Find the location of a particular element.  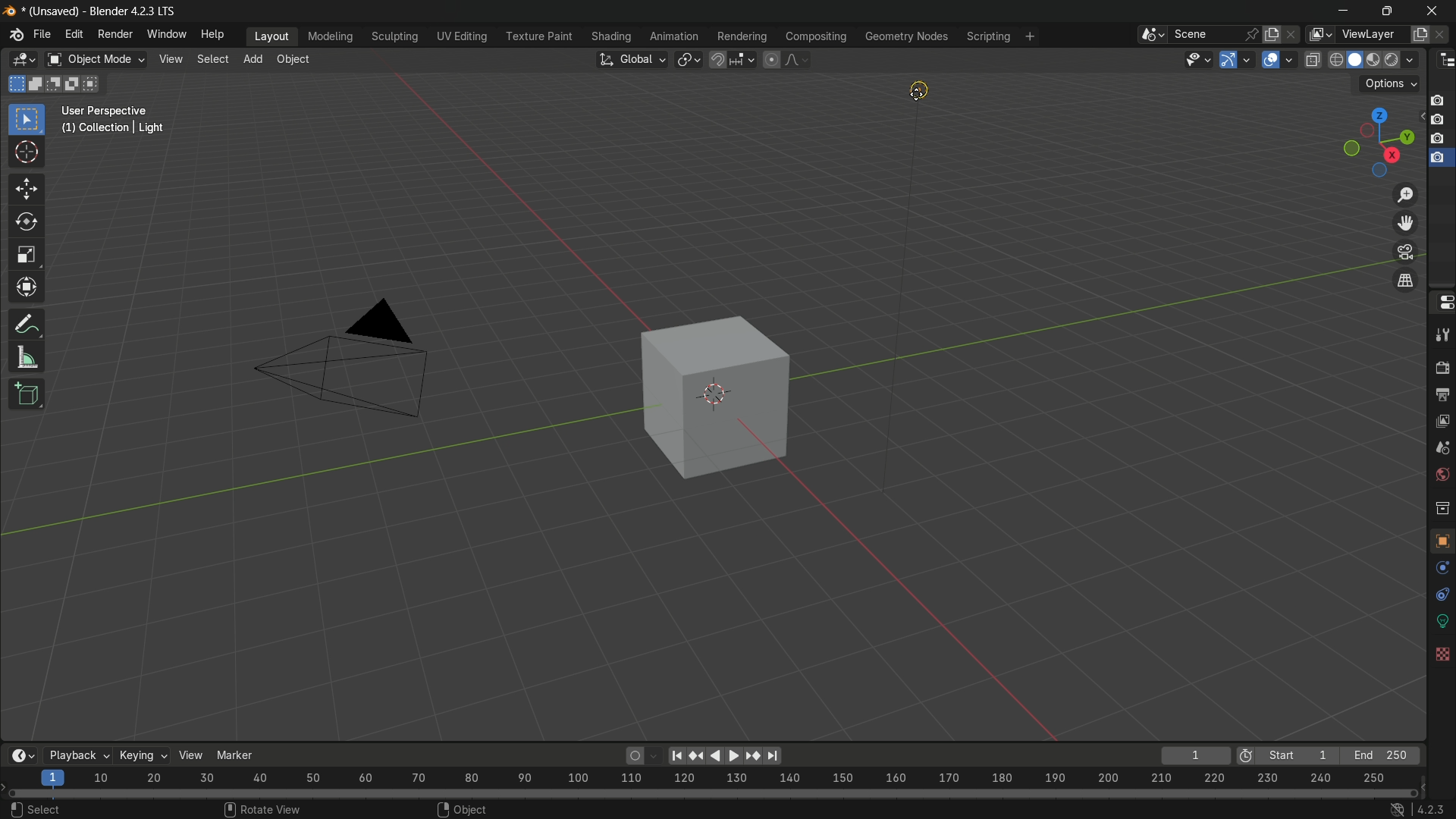

select is located at coordinates (211, 61).